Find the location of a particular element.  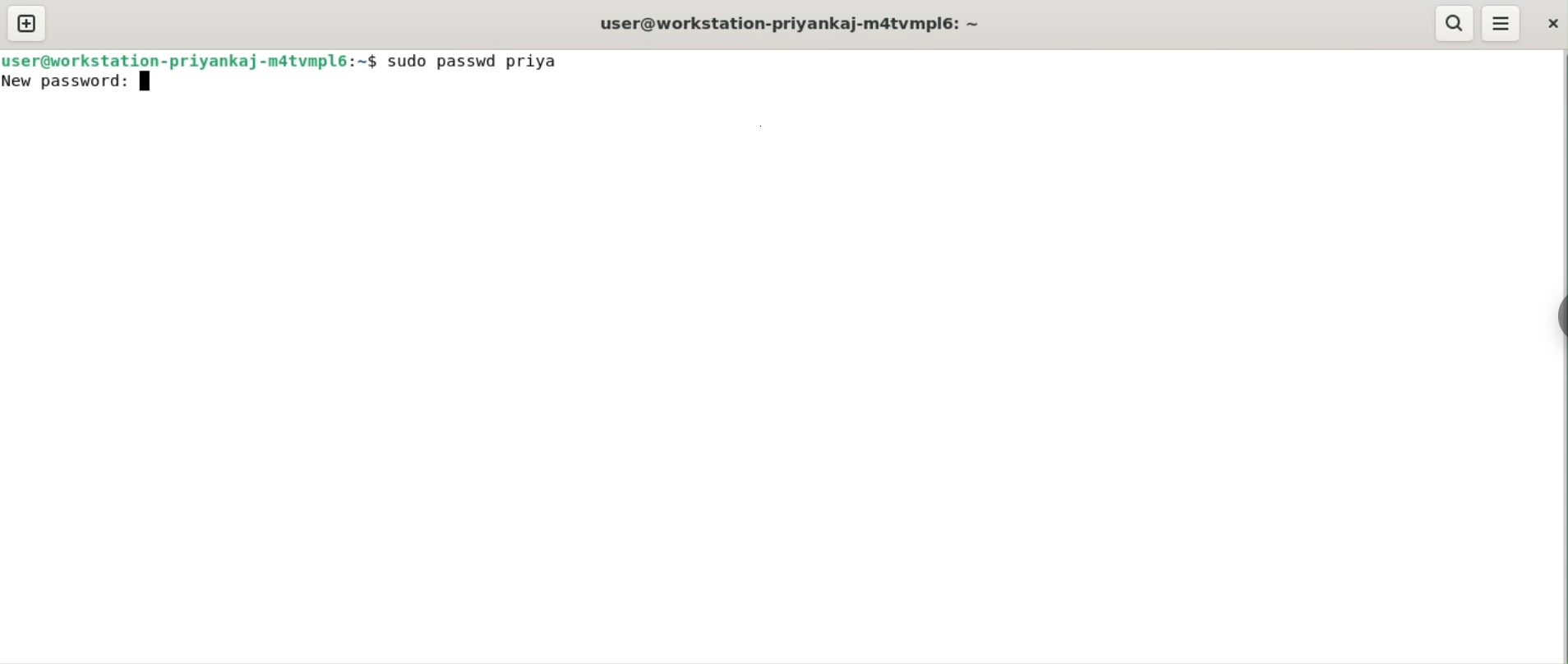

new tab is located at coordinates (26, 23).